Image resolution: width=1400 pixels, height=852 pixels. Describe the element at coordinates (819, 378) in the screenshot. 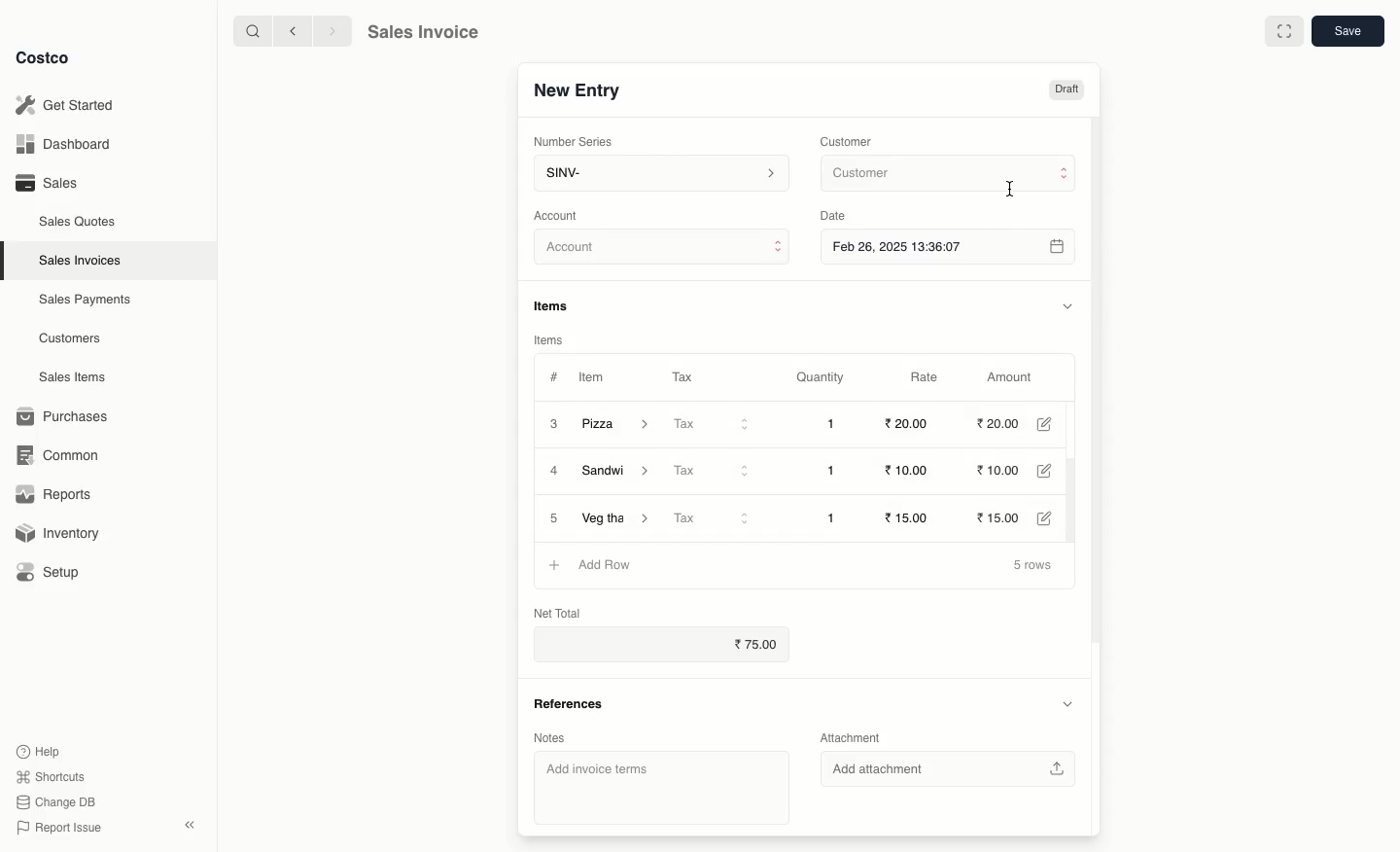

I see `Quantity` at that location.